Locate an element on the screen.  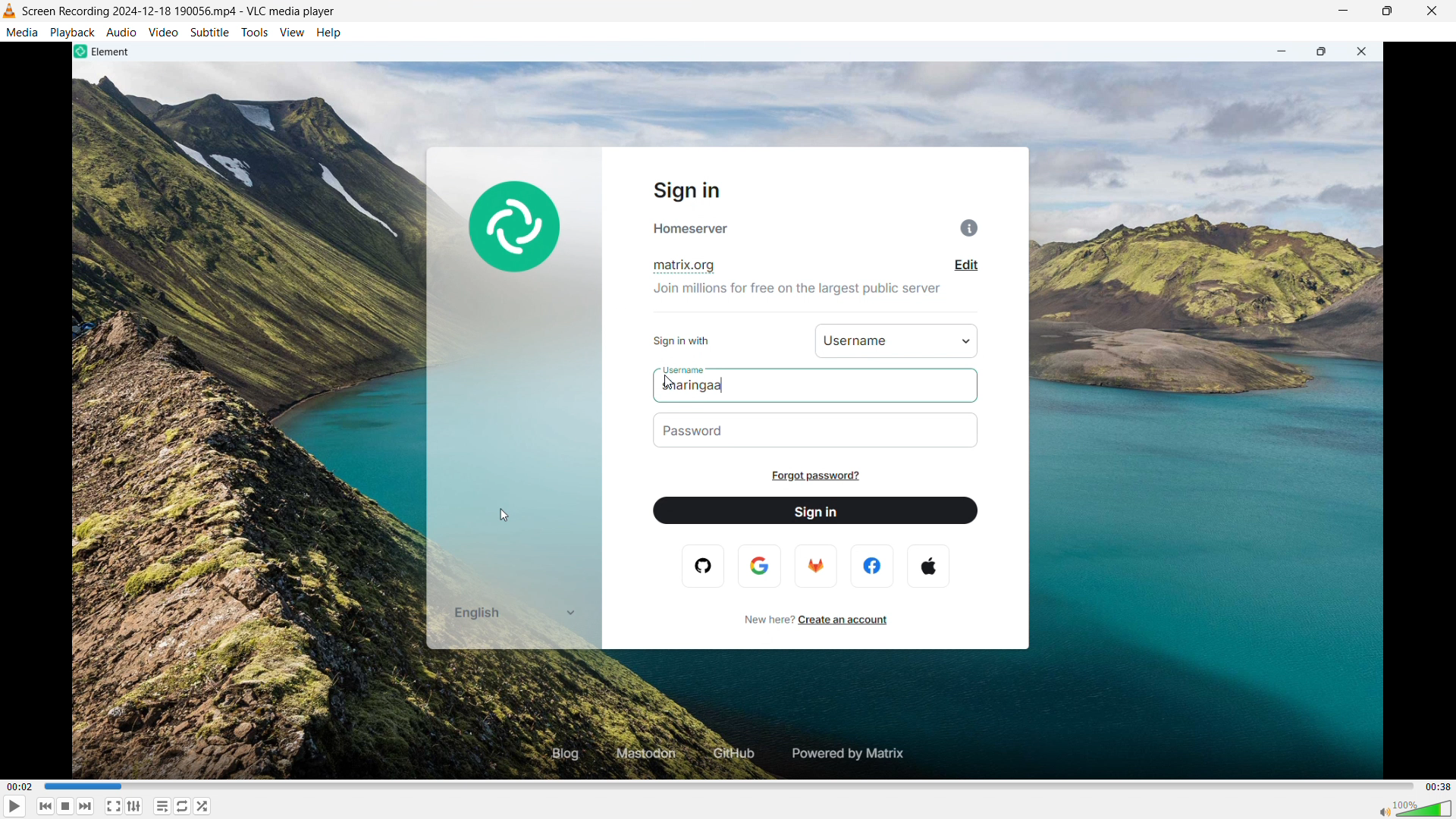
toggle playlist is located at coordinates (162, 807).